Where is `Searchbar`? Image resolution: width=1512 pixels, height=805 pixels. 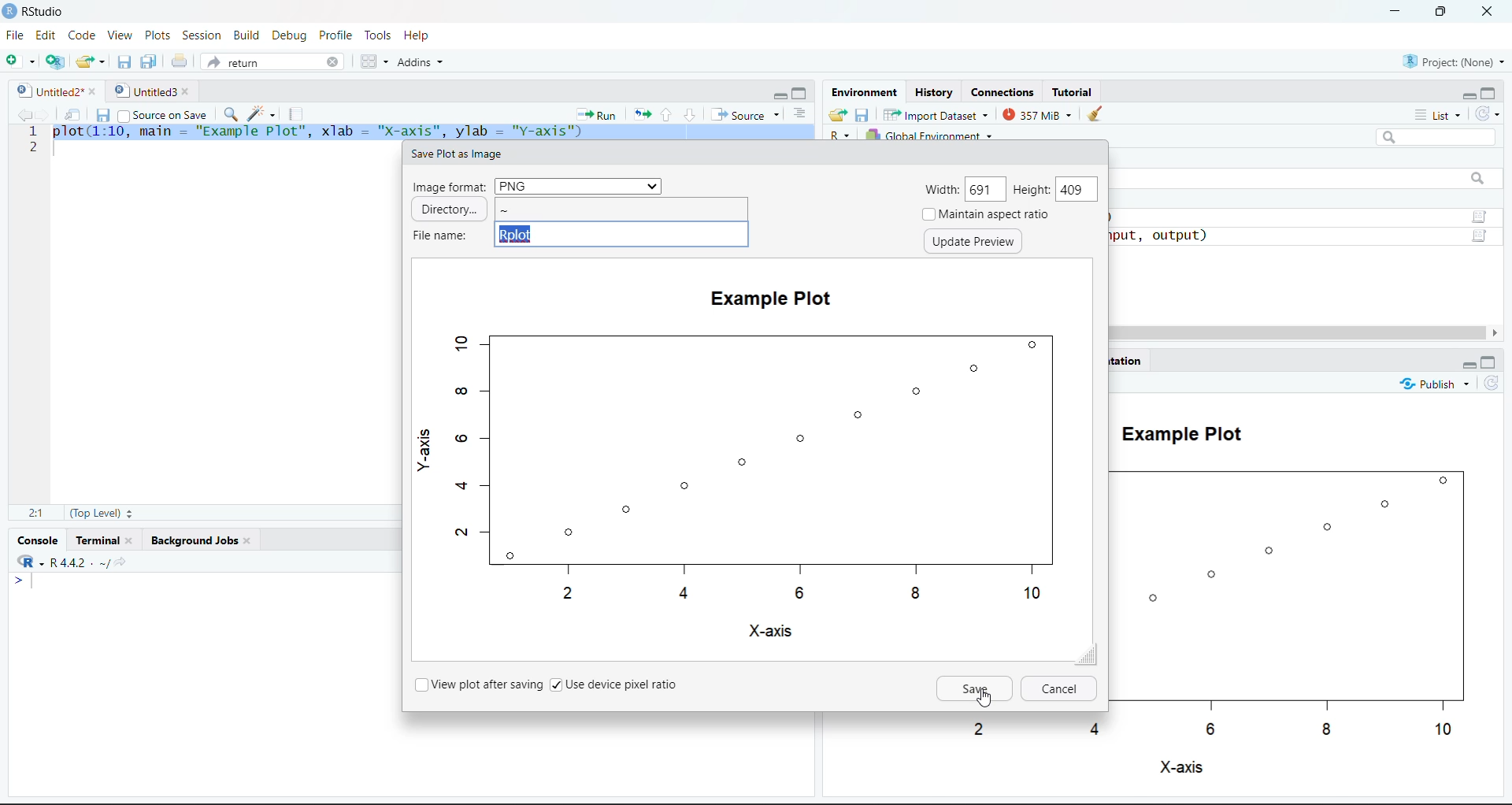
Searchbar is located at coordinates (1477, 180).